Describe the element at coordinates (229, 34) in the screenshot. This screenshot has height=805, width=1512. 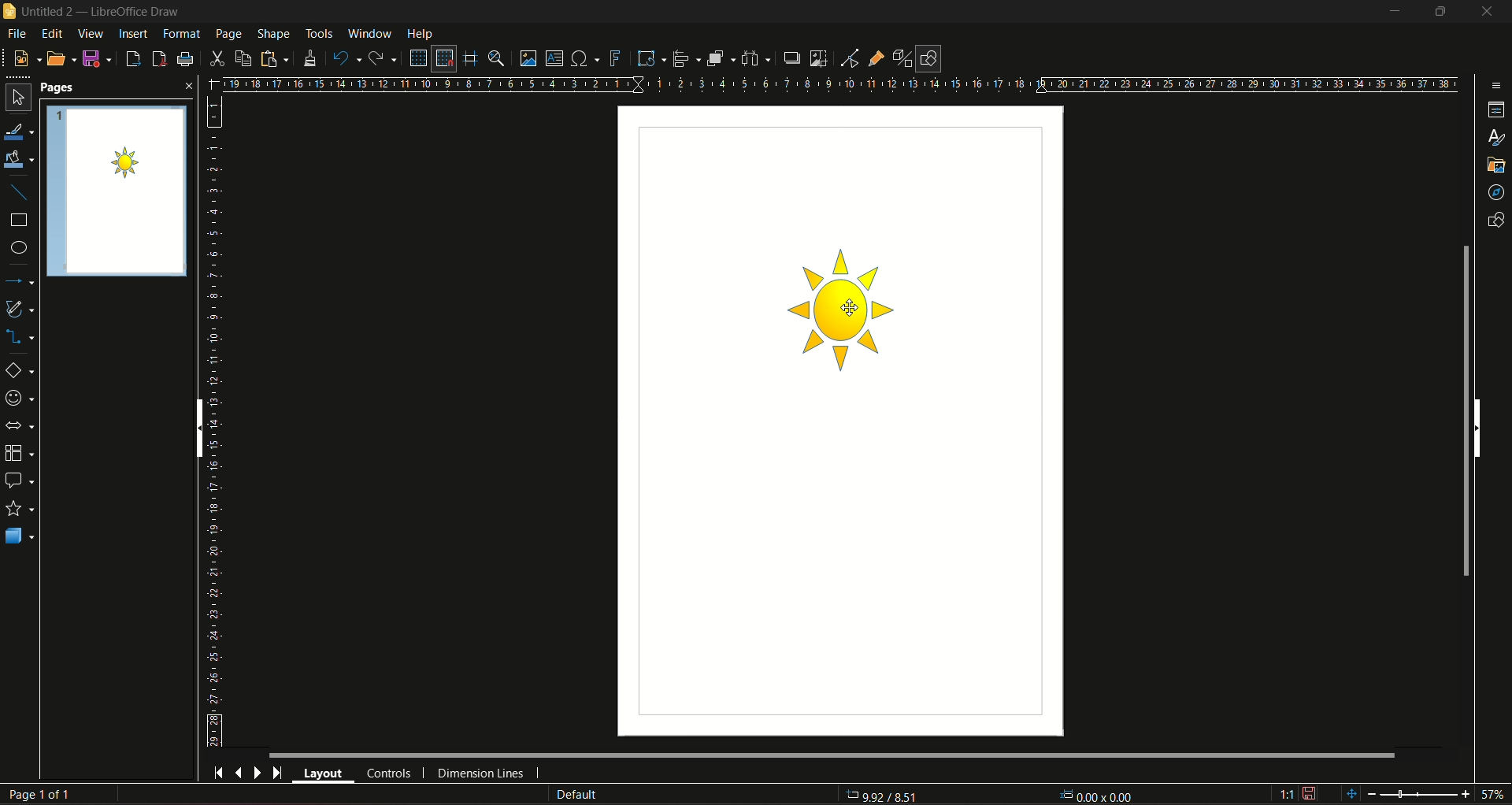
I see `page` at that location.